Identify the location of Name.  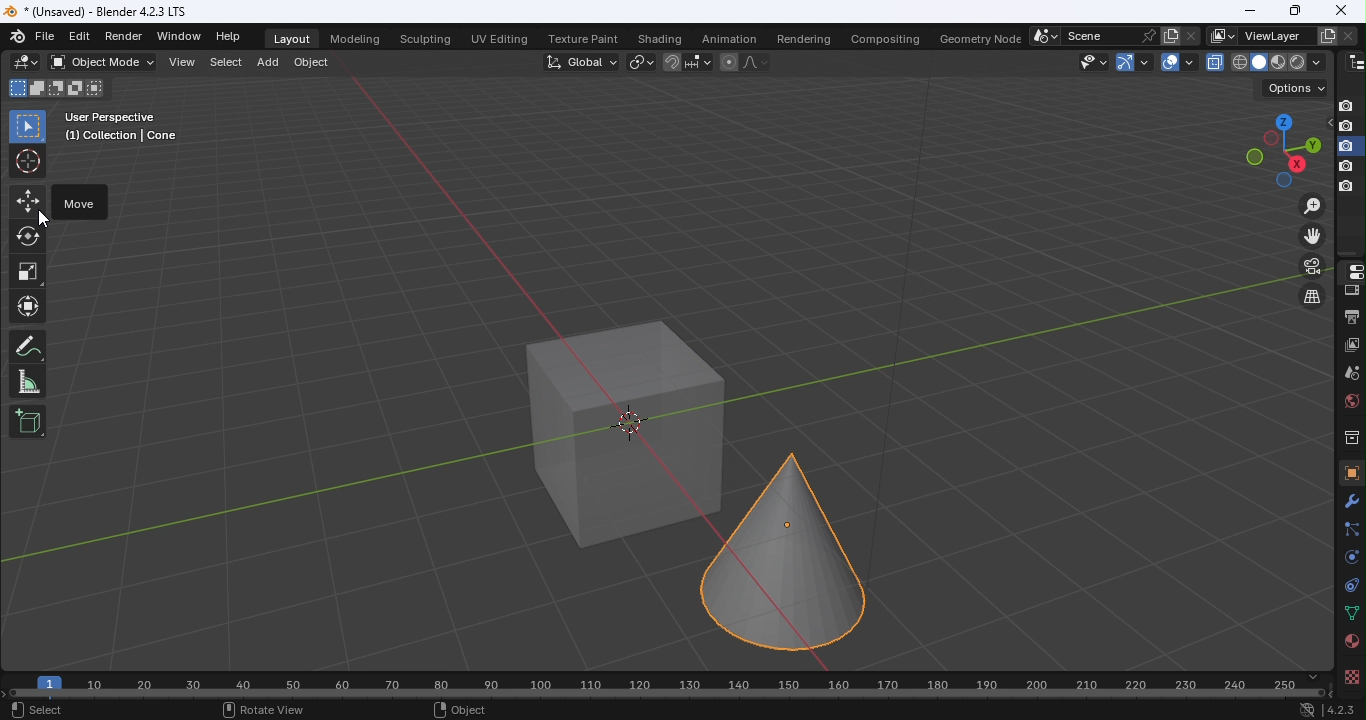
(1098, 35).